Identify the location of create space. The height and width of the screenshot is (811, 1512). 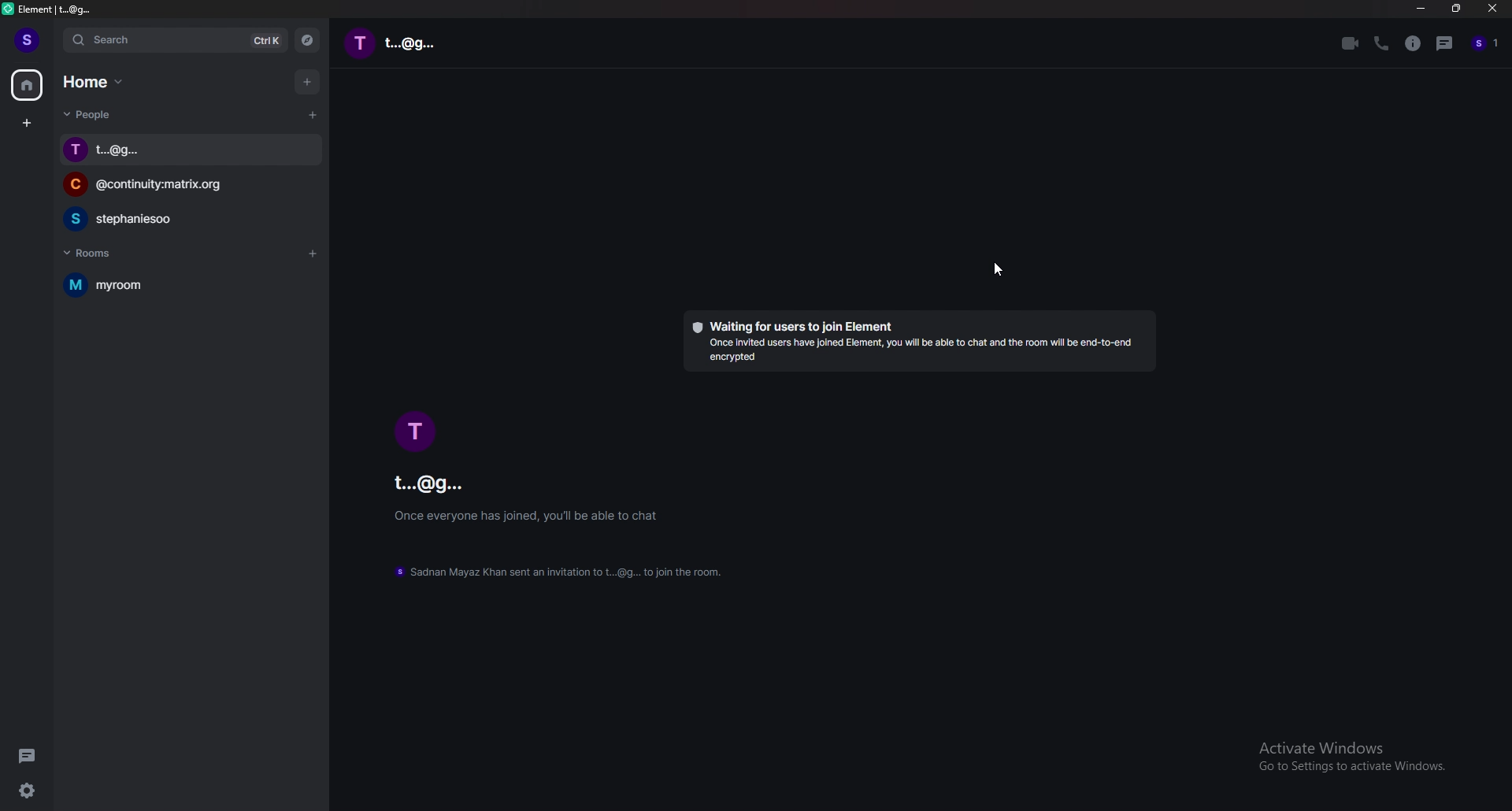
(28, 124).